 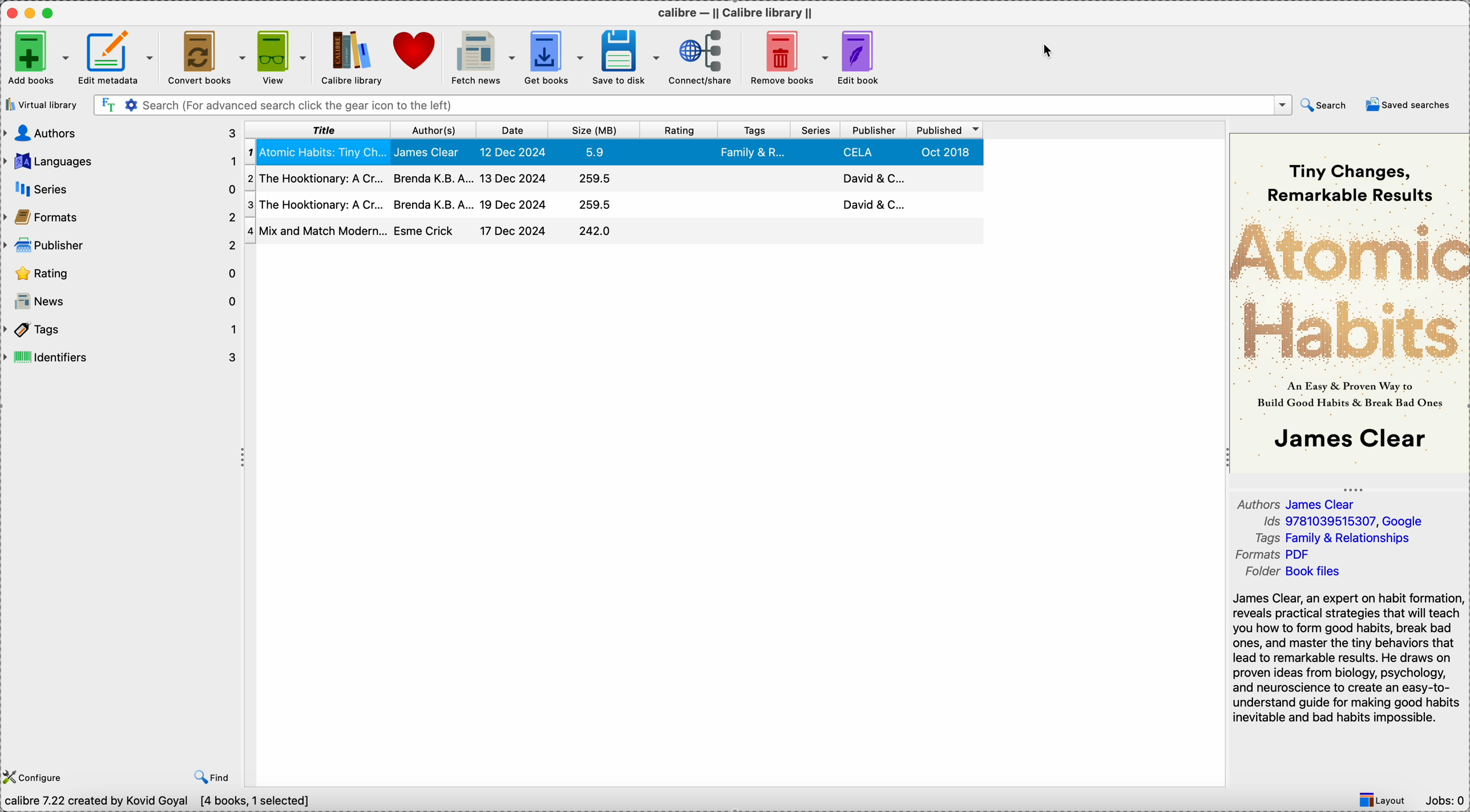 I want to click on authors, so click(x=1297, y=504).